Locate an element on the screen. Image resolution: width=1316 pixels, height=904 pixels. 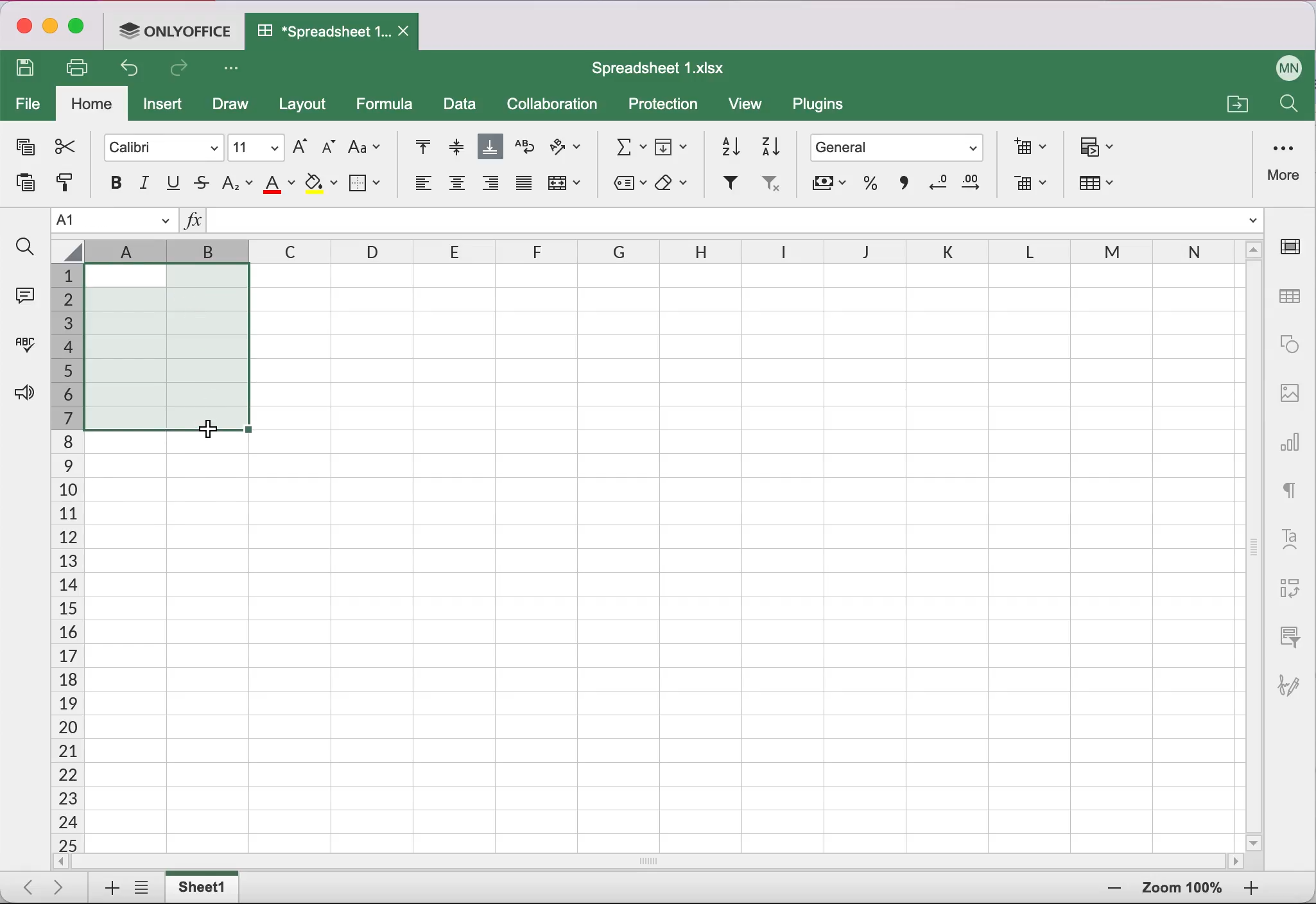
cut is located at coordinates (64, 146).